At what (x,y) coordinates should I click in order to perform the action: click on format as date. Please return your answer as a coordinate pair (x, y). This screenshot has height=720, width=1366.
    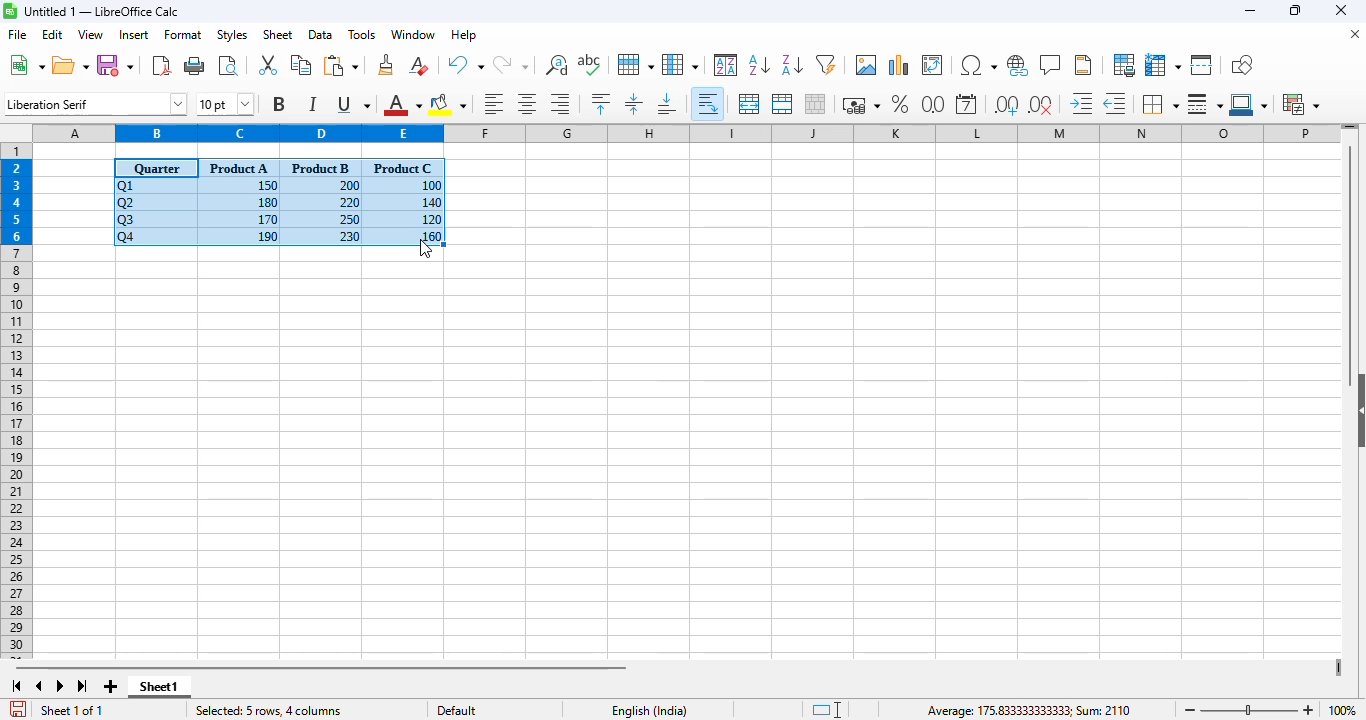
    Looking at the image, I should click on (966, 104).